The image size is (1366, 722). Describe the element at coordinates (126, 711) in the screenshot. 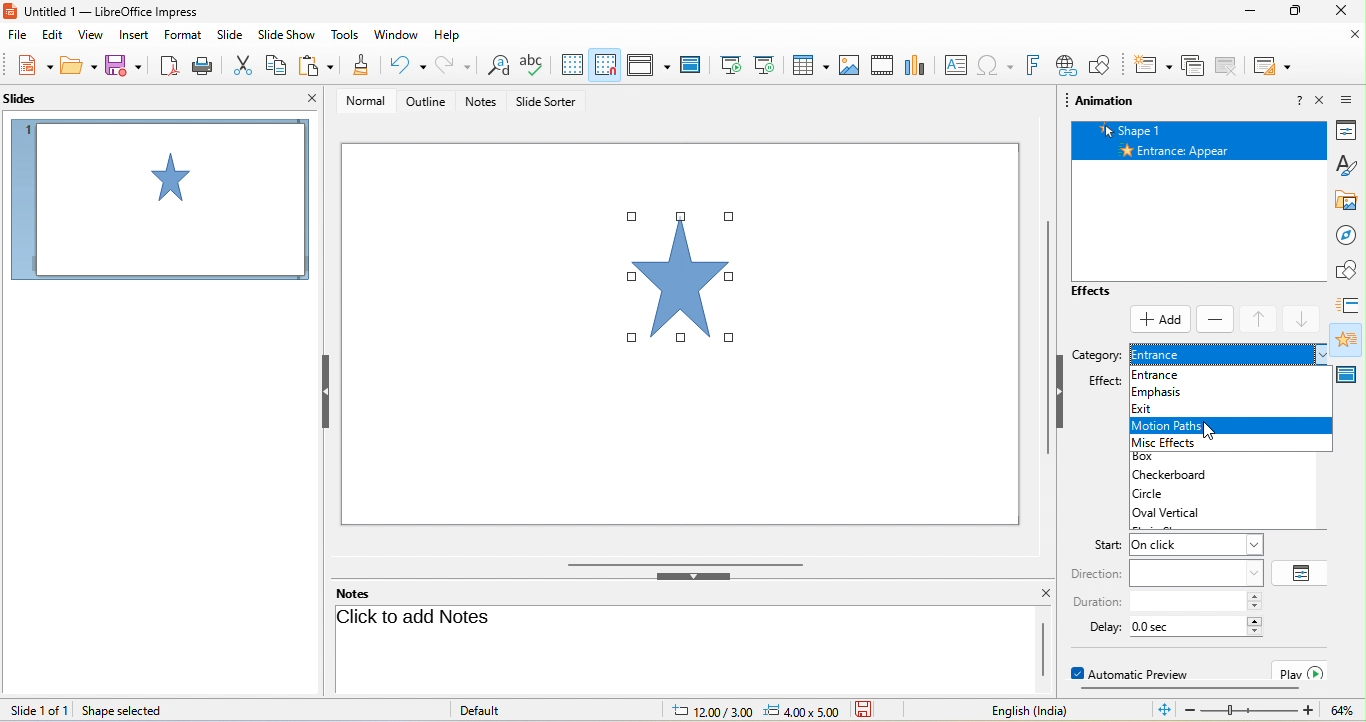

I see `shape selected` at that location.